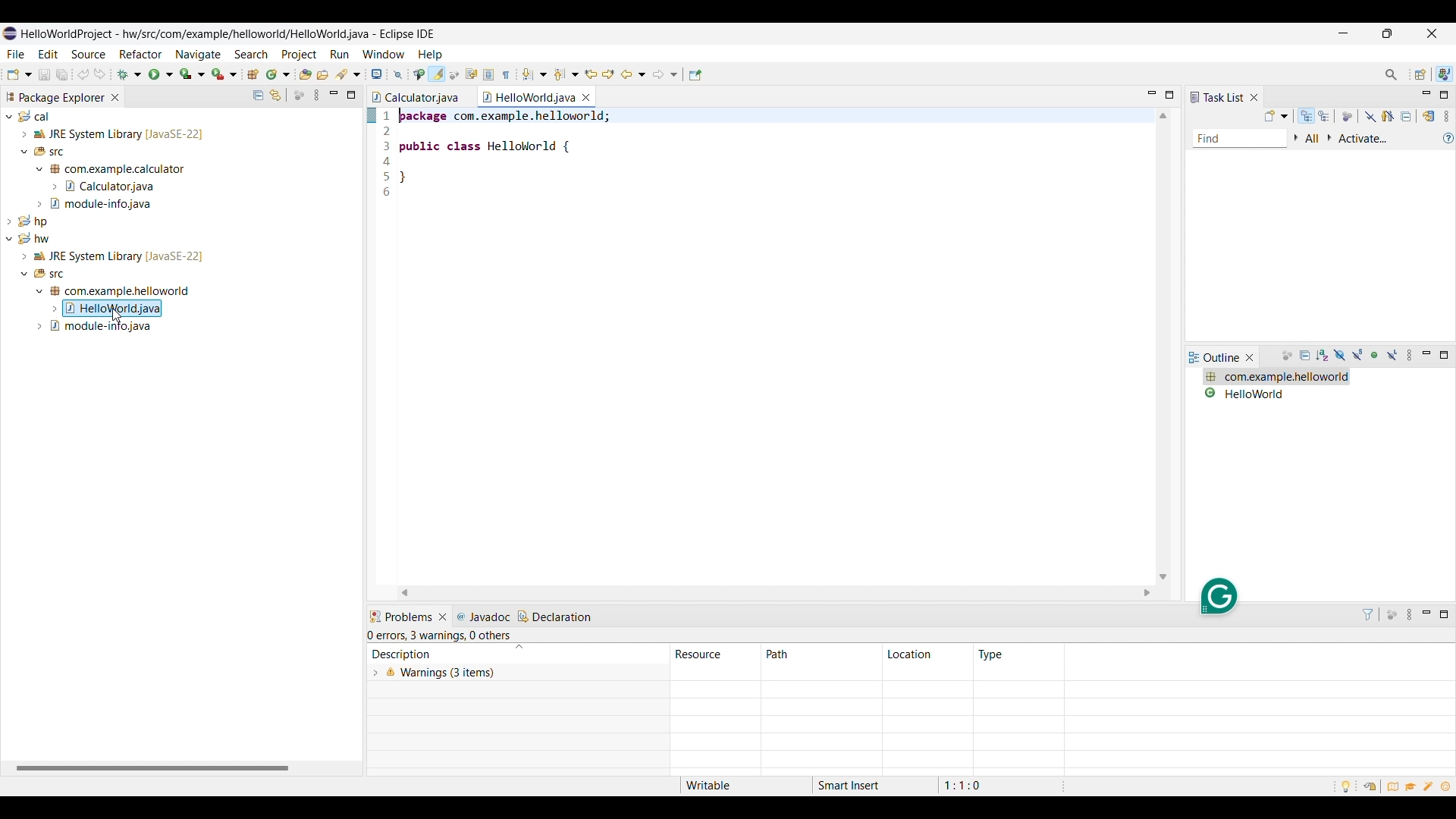 The height and width of the screenshot is (819, 1456). Describe the element at coordinates (469, 97) in the screenshot. I see `Close tab 1` at that location.